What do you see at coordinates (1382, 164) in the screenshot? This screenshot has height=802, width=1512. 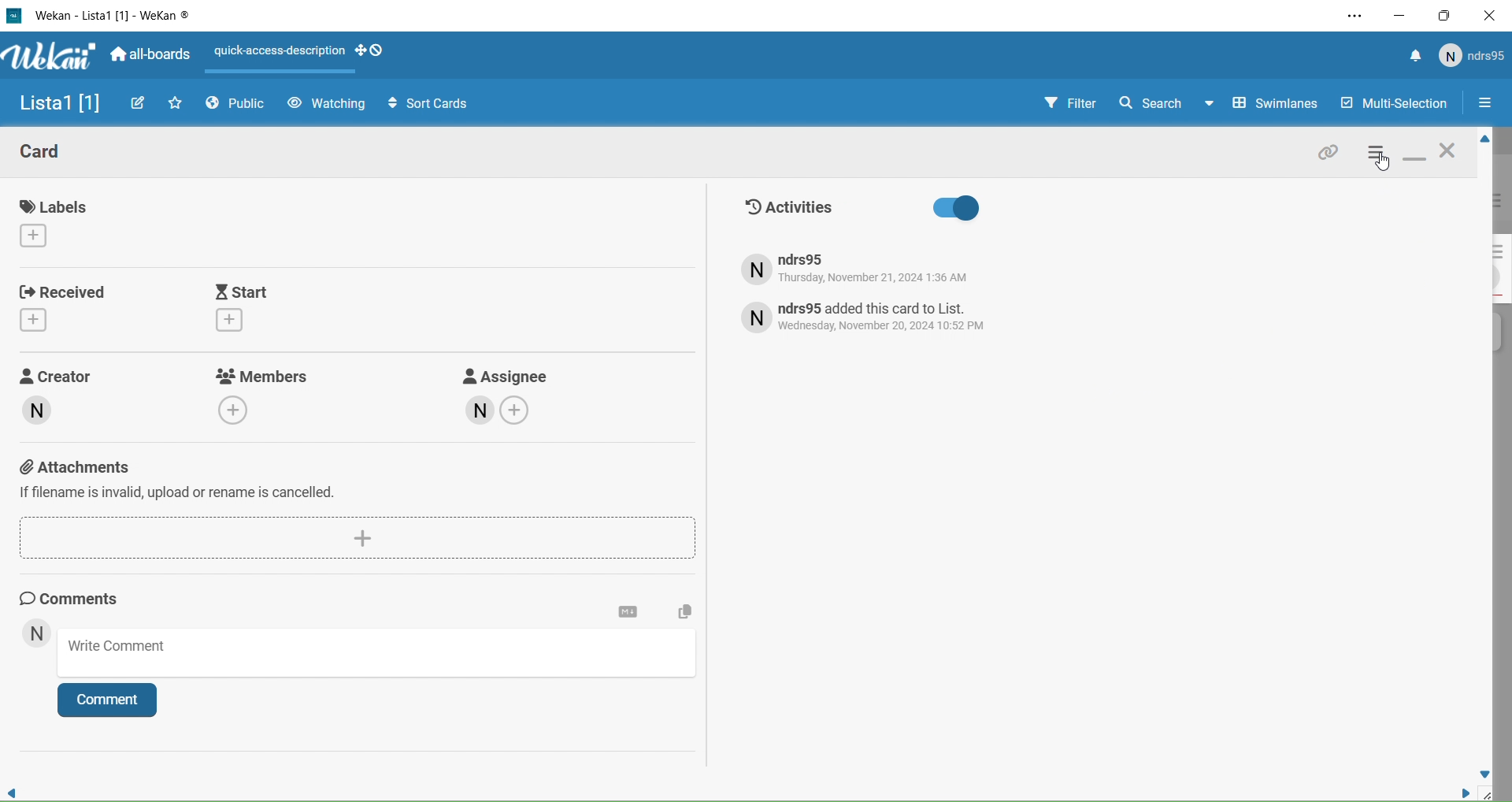 I see `cursor` at bounding box center [1382, 164].